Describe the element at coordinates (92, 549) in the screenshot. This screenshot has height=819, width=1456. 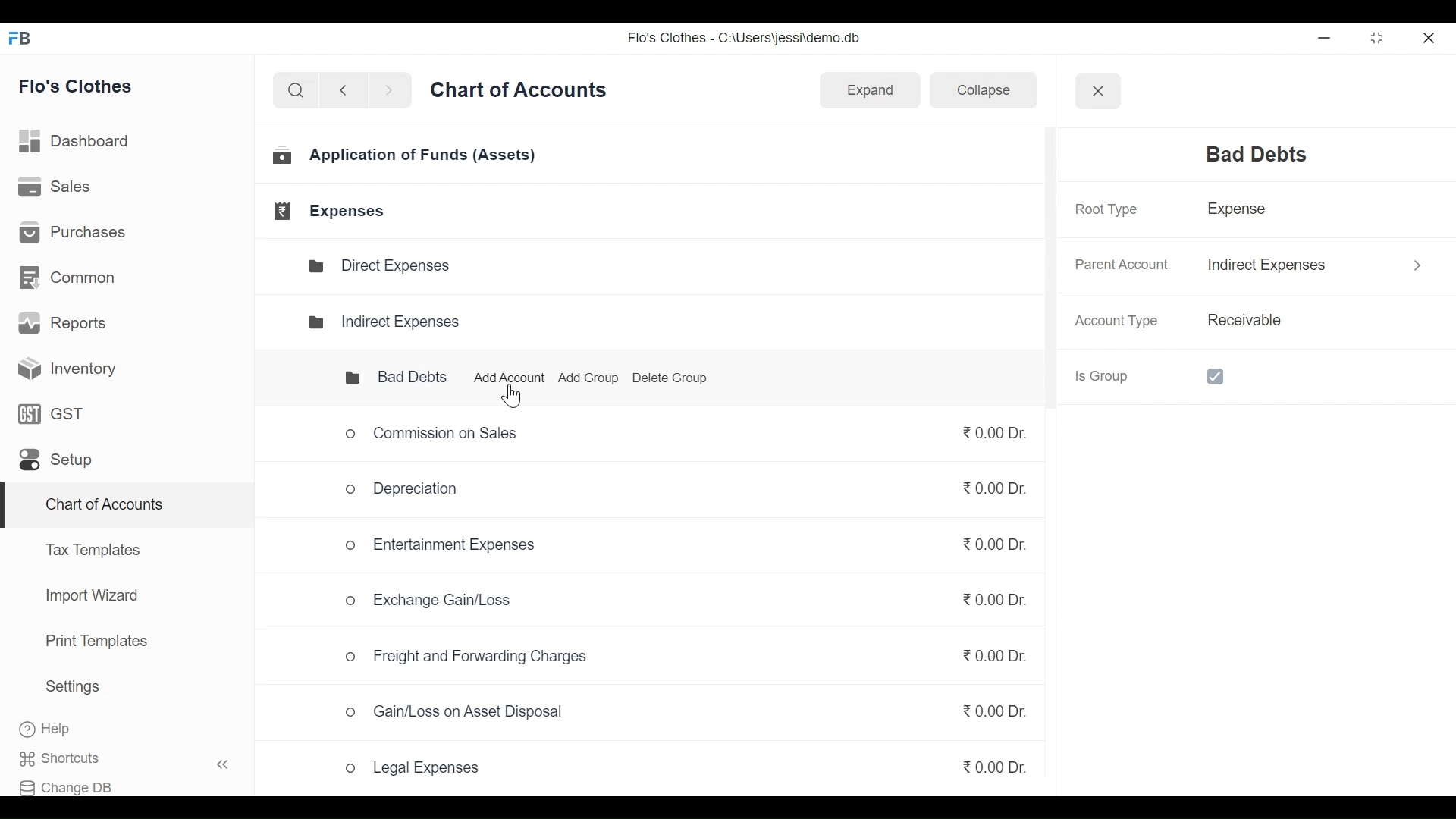
I see `Tax Templates` at that location.